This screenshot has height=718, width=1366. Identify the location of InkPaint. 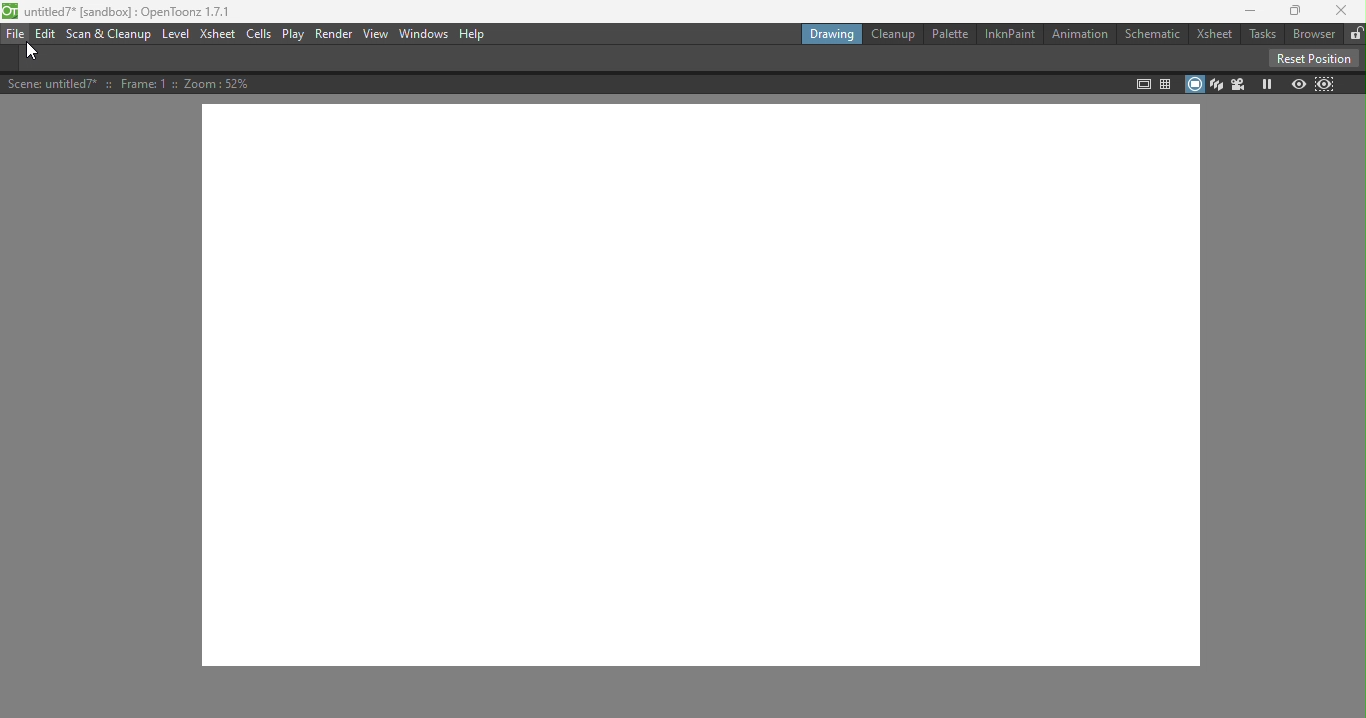
(1011, 34).